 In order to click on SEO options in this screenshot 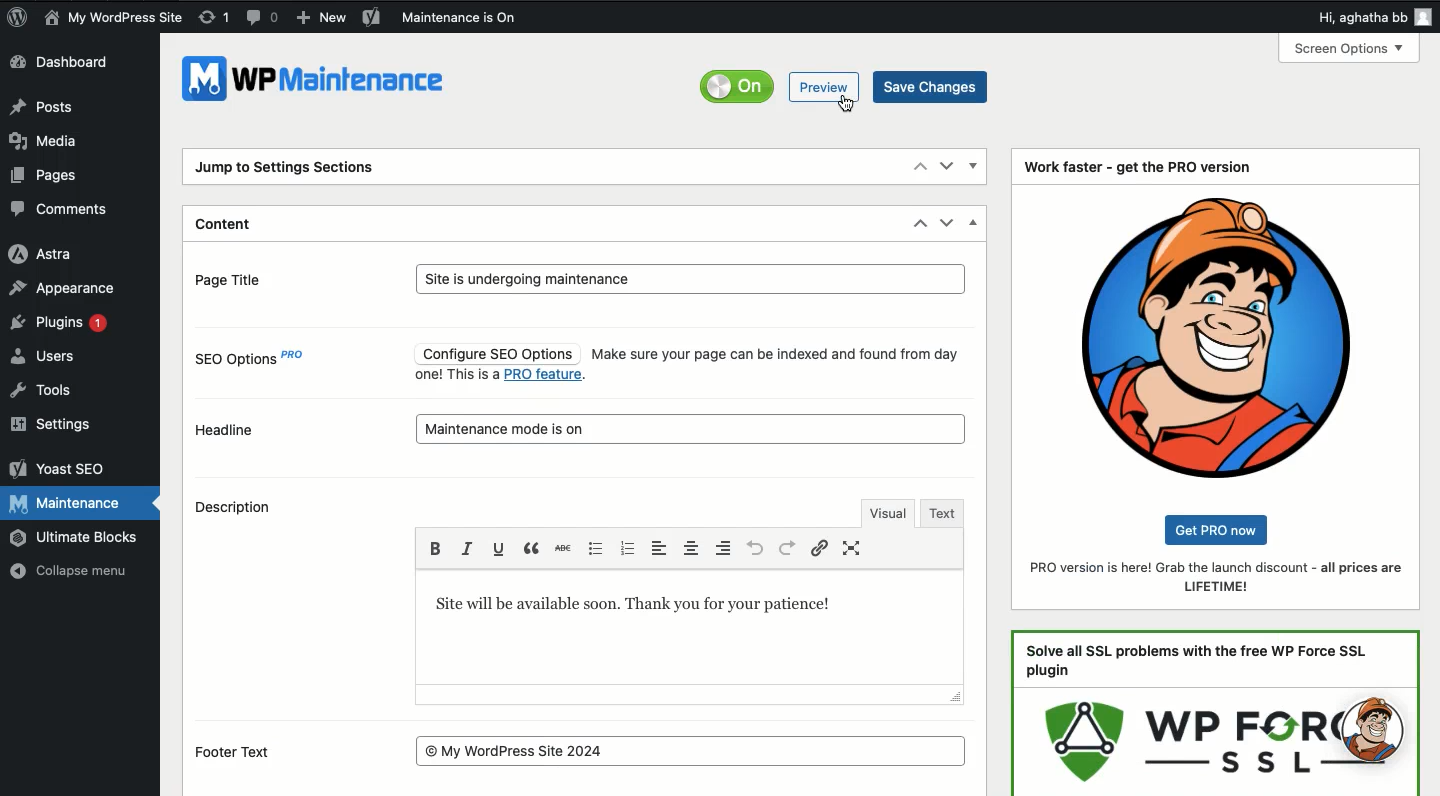, I will do `click(254, 363)`.